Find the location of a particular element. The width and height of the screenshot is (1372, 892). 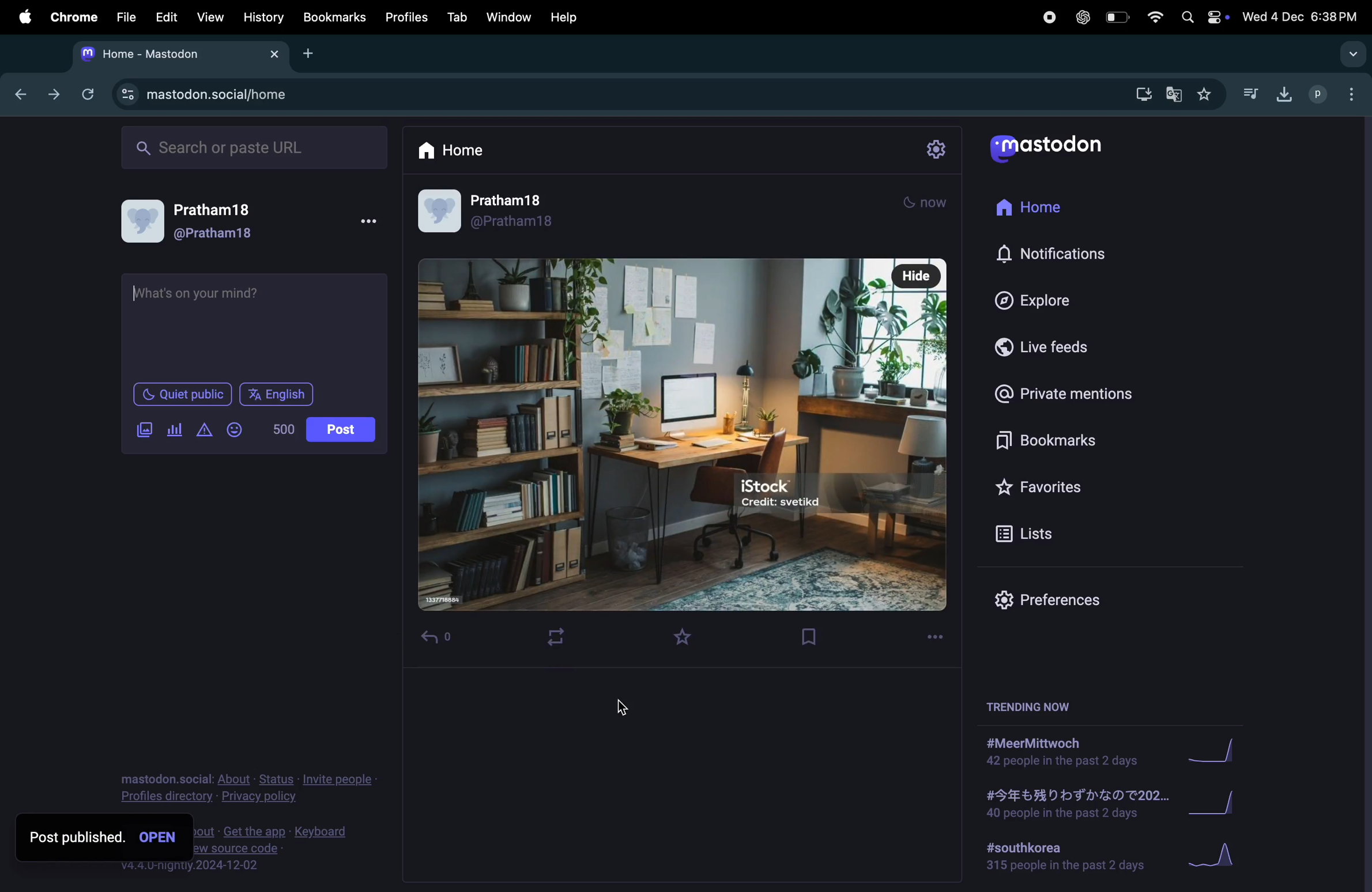

music is located at coordinates (1252, 95).